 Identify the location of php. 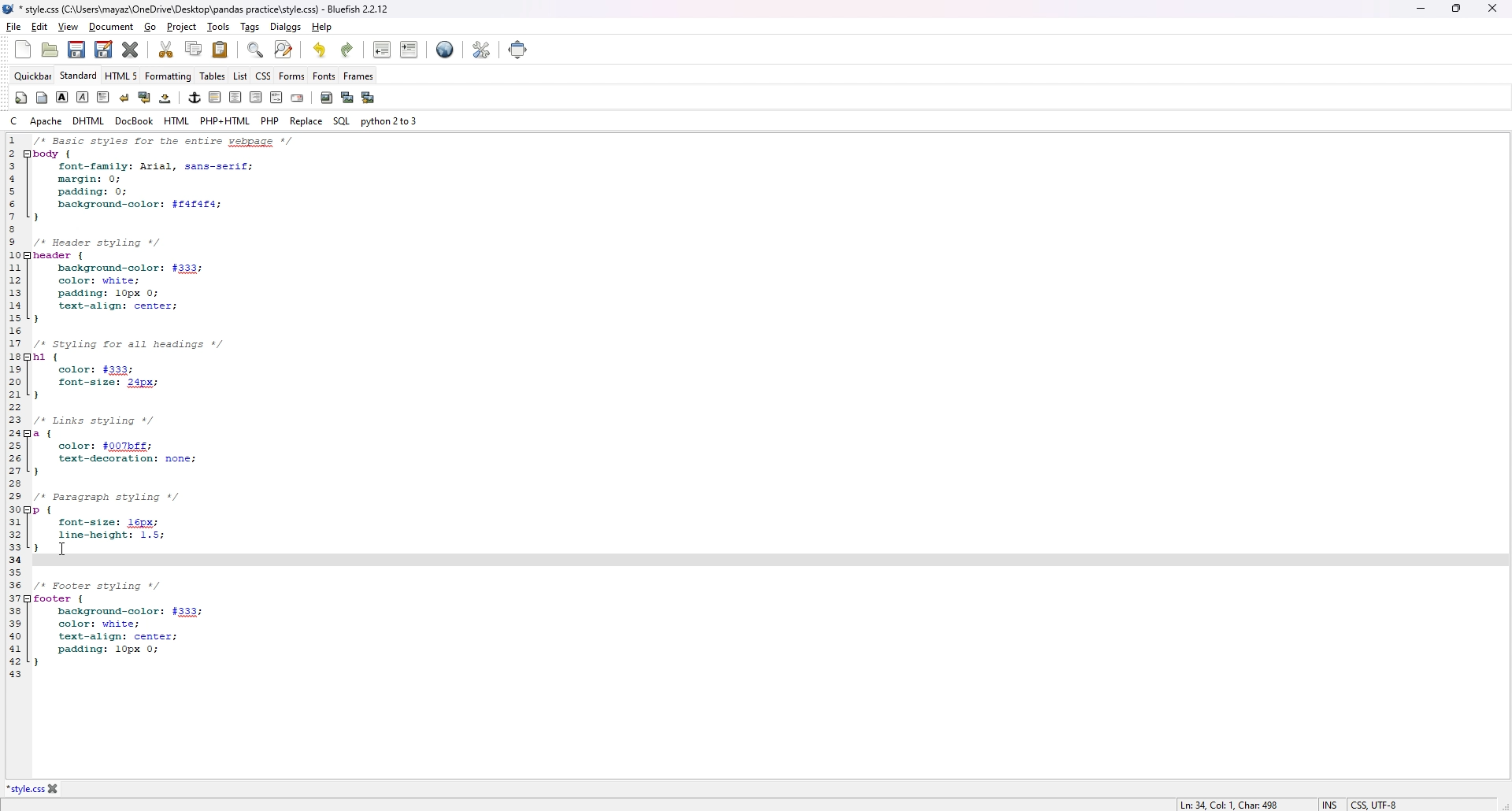
(269, 121).